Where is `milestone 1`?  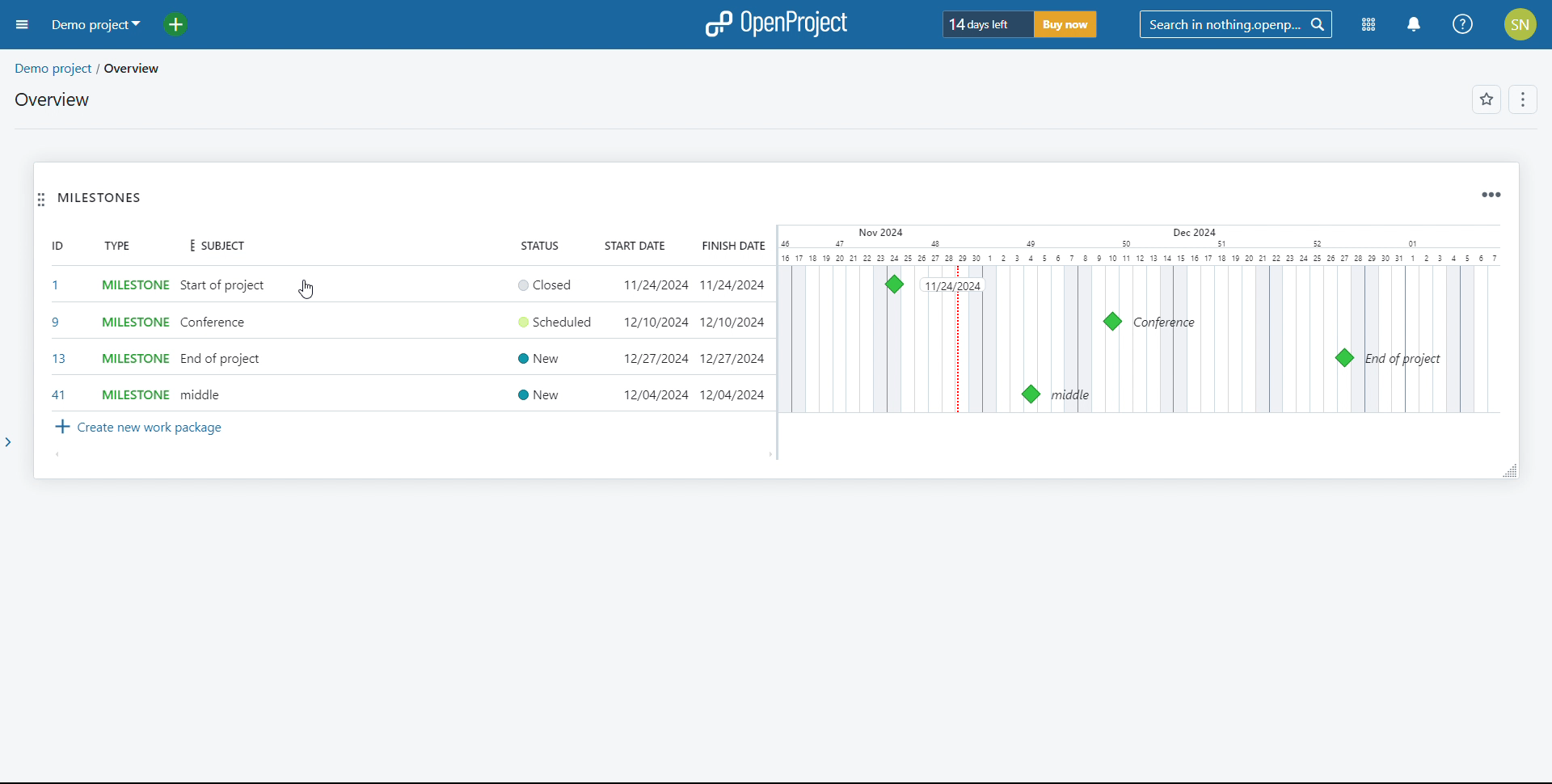 milestone 1 is located at coordinates (892, 282).